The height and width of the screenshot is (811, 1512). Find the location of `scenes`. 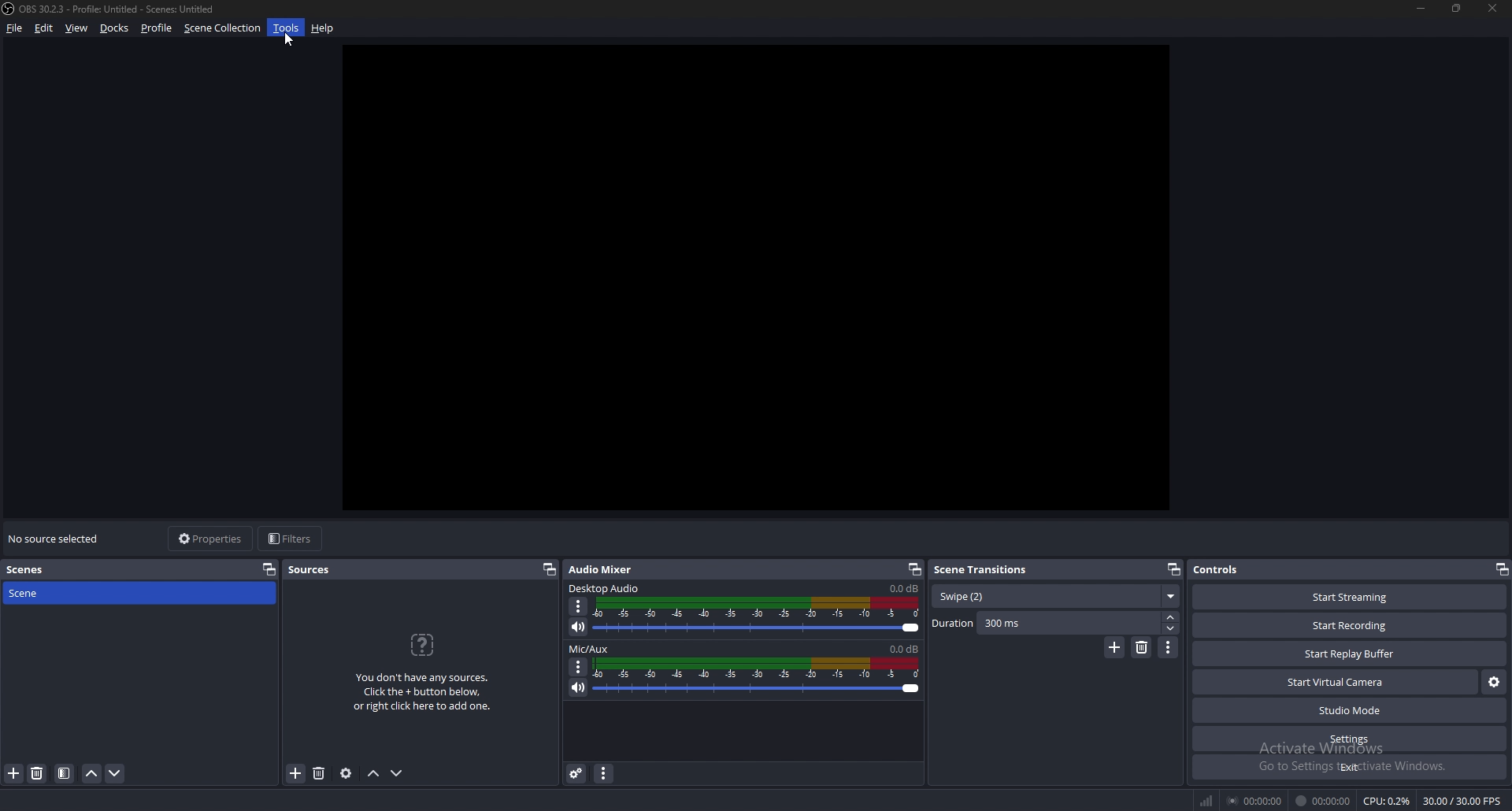

scenes is located at coordinates (39, 570).